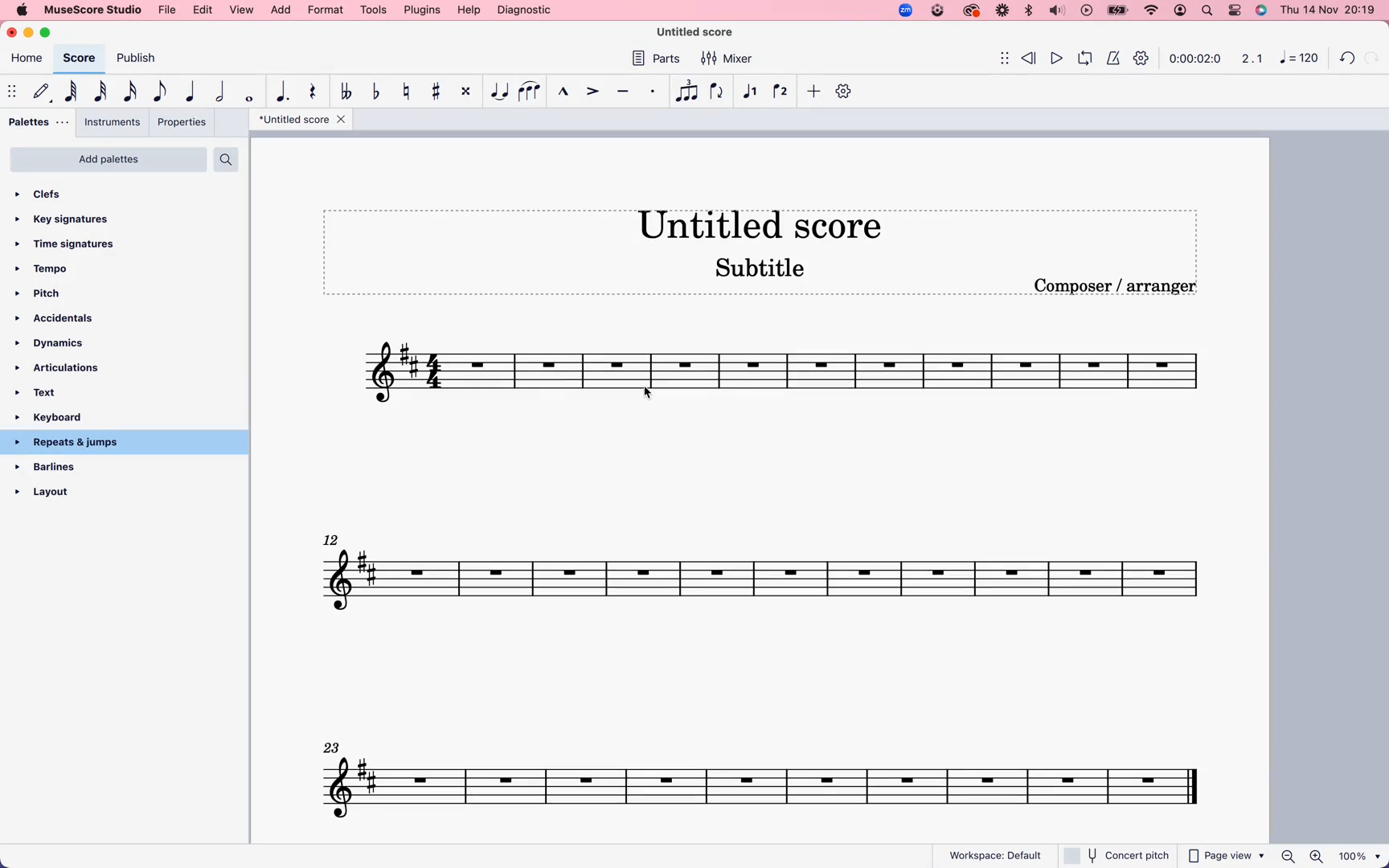  What do you see at coordinates (75, 244) in the screenshot?
I see `time signatures` at bounding box center [75, 244].